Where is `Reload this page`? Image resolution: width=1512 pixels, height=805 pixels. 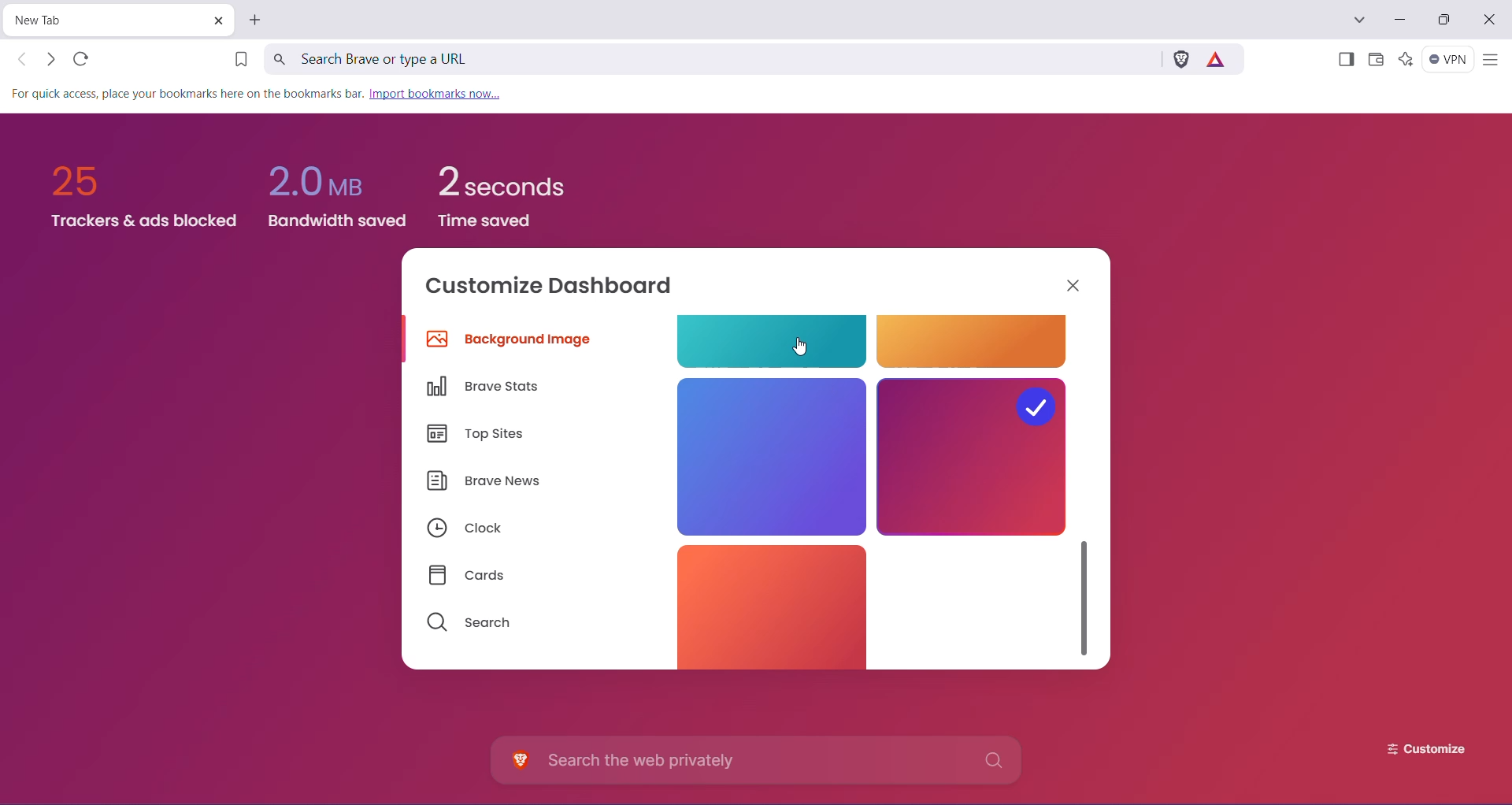
Reload this page is located at coordinates (83, 58).